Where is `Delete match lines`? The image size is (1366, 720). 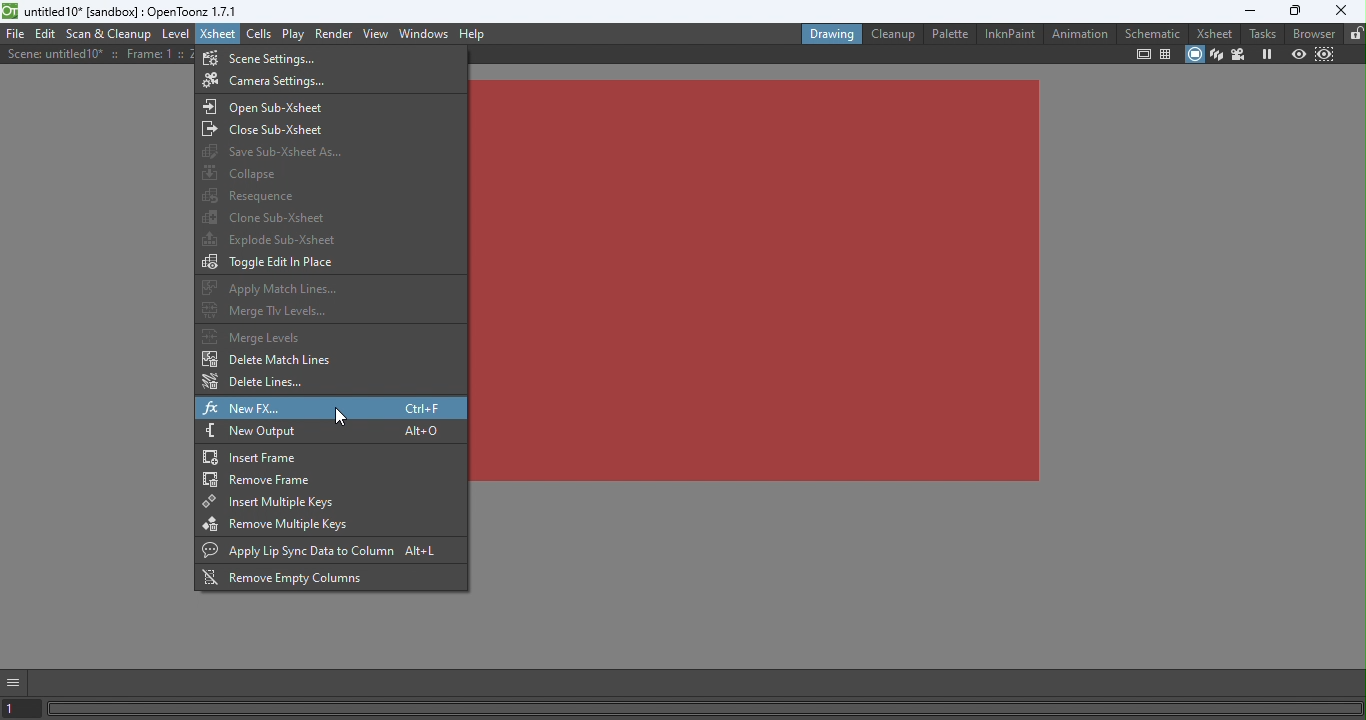
Delete match lines is located at coordinates (271, 361).